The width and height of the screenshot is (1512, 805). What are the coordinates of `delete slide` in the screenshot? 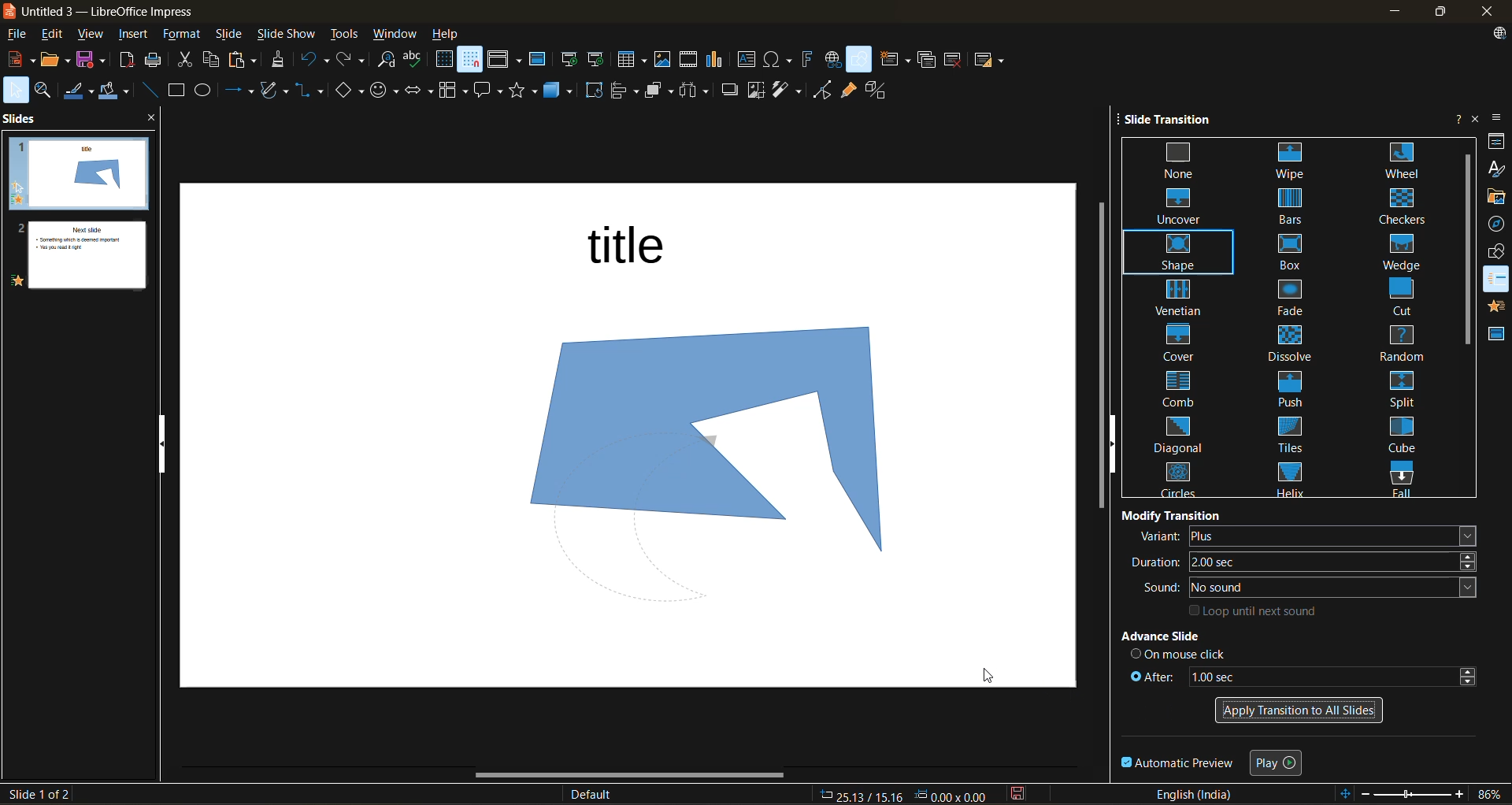 It's located at (954, 59).